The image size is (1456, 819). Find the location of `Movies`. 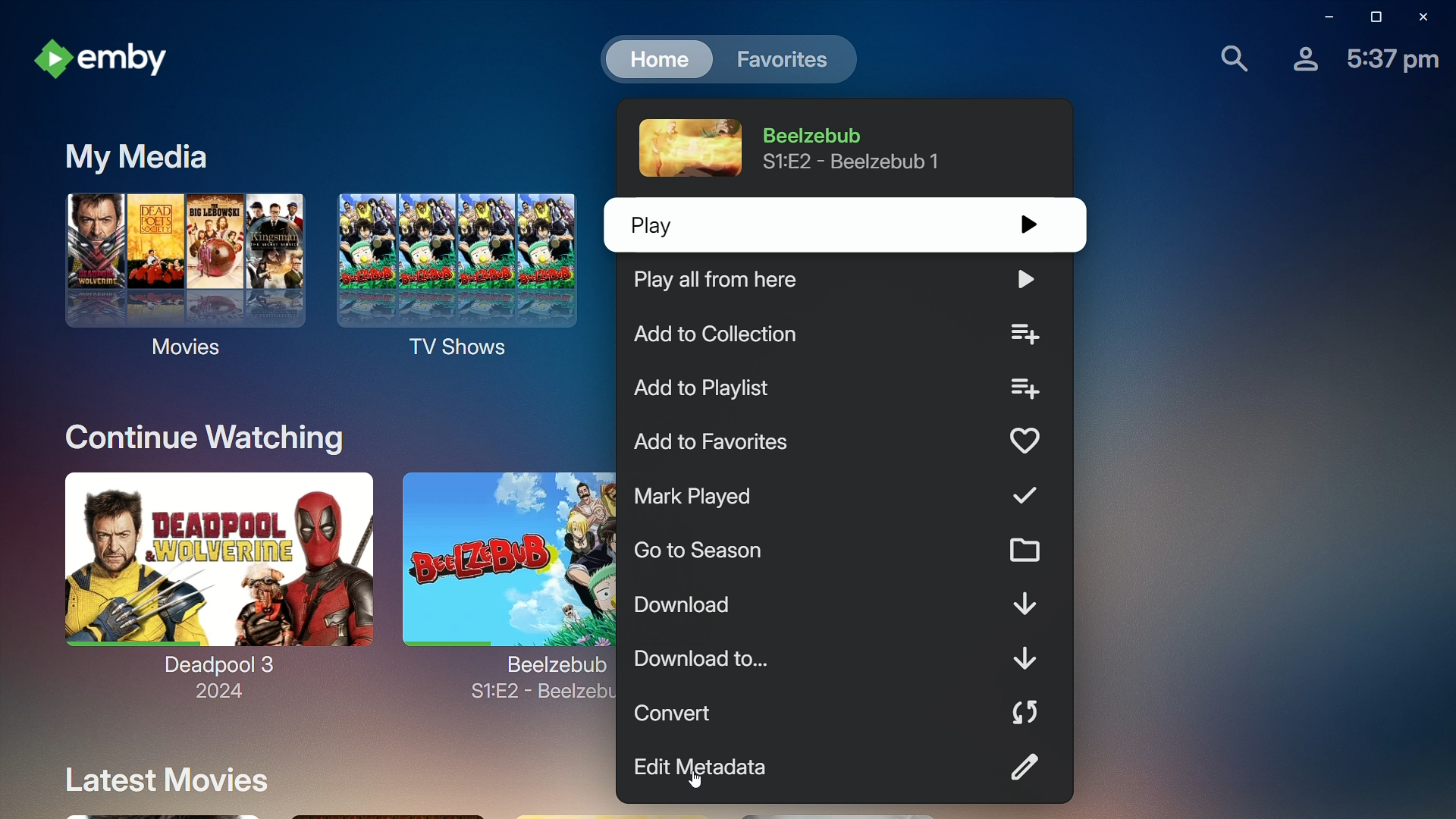

Movies is located at coordinates (178, 282).